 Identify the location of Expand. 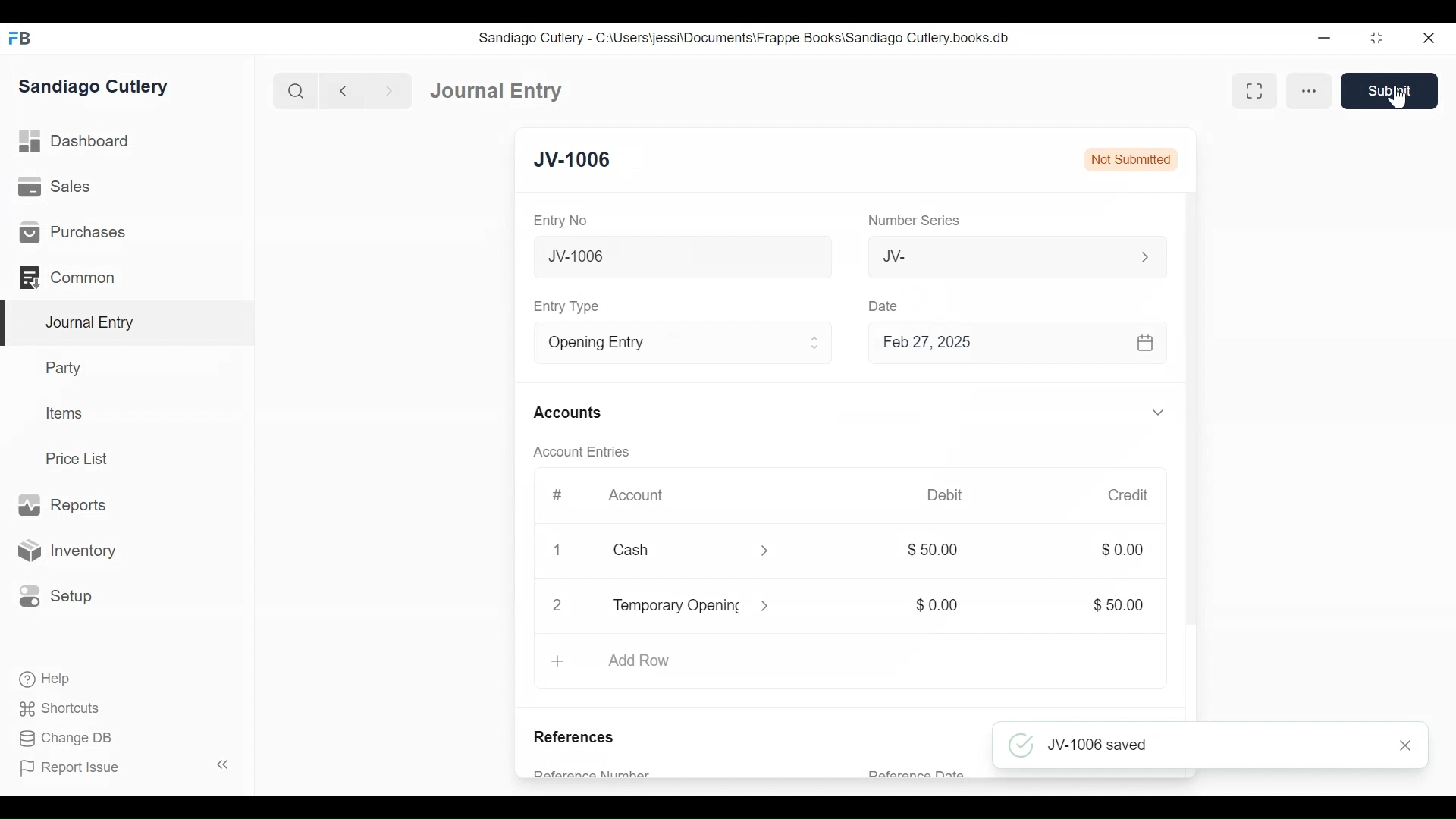
(1160, 412).